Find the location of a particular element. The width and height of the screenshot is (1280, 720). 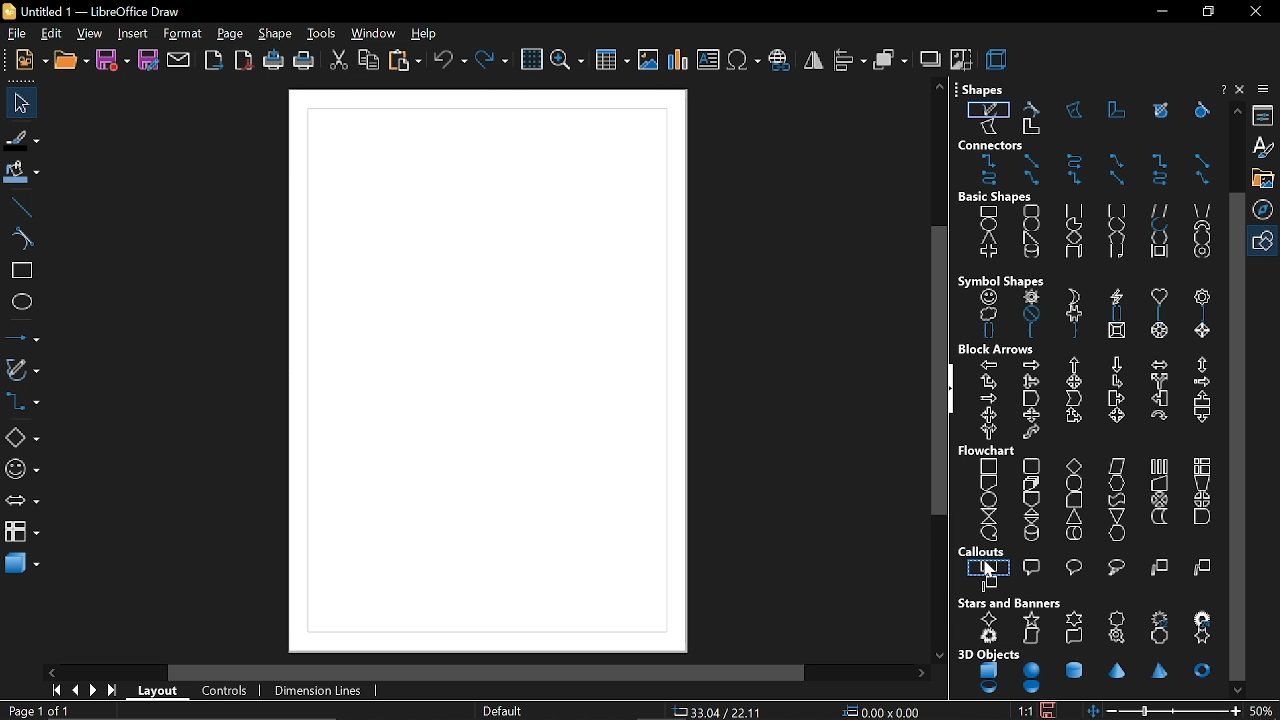

rectangle is located at coordinates (18, 272).